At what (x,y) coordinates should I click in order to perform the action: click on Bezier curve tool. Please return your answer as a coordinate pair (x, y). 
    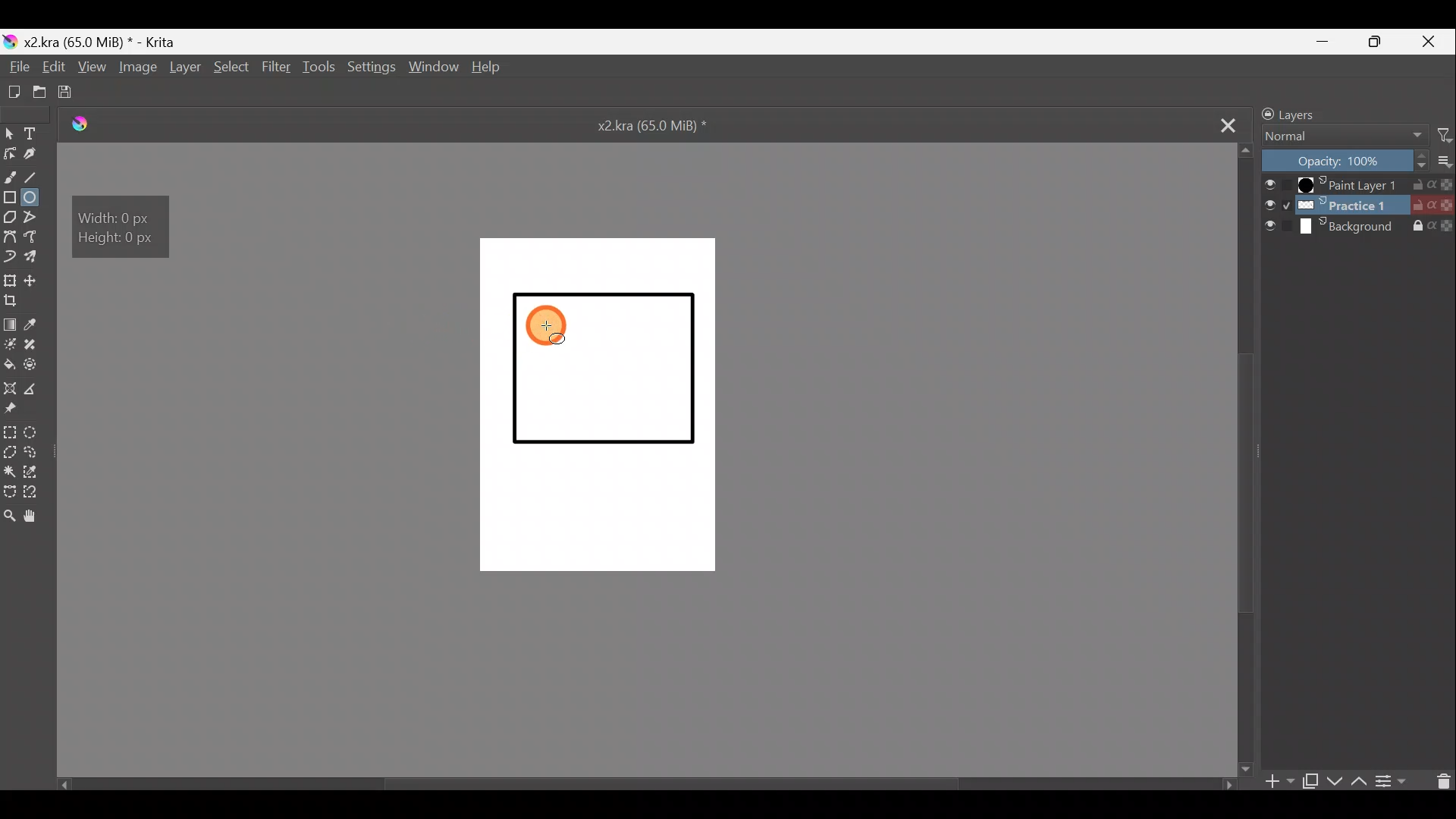
    Looking at the image, I should click on (11, 237).